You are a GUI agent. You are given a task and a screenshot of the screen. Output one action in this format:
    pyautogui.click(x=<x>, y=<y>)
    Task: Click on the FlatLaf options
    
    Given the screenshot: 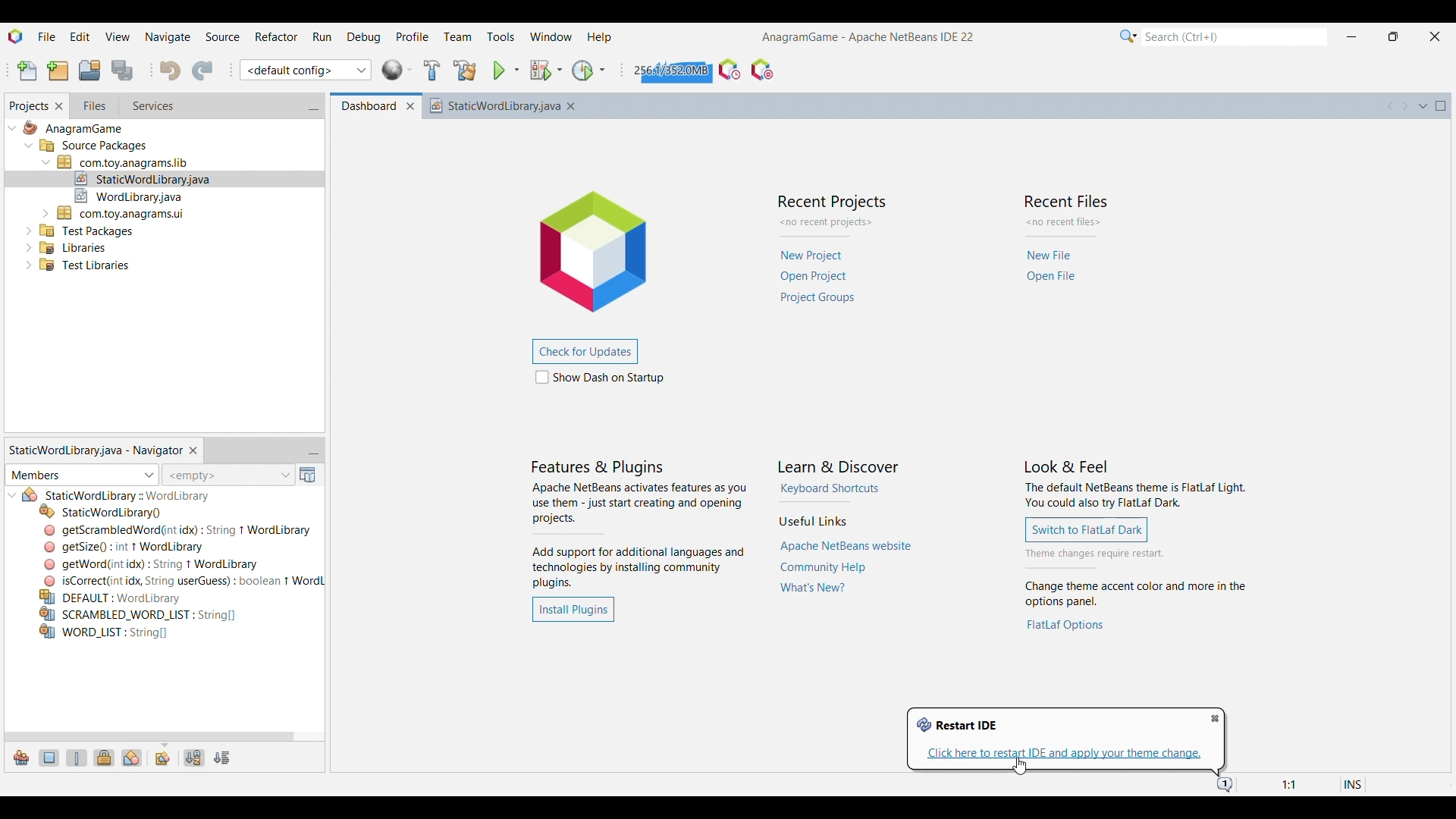 What is the action you would take?
    pyautogui.click(x=1066, y=625)
    